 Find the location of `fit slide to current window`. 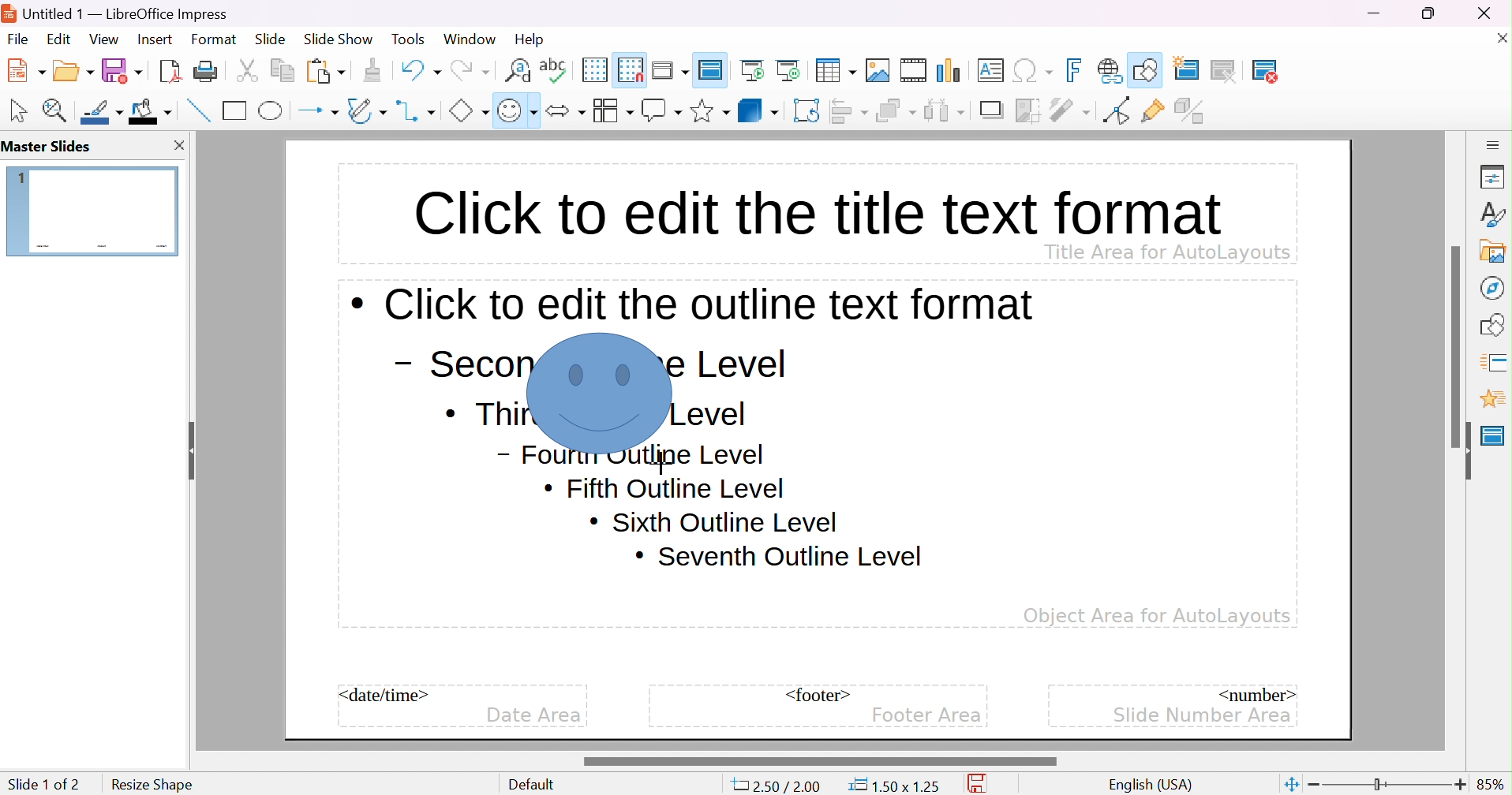

fit slide to current window is located at coordinates (1290, 783).